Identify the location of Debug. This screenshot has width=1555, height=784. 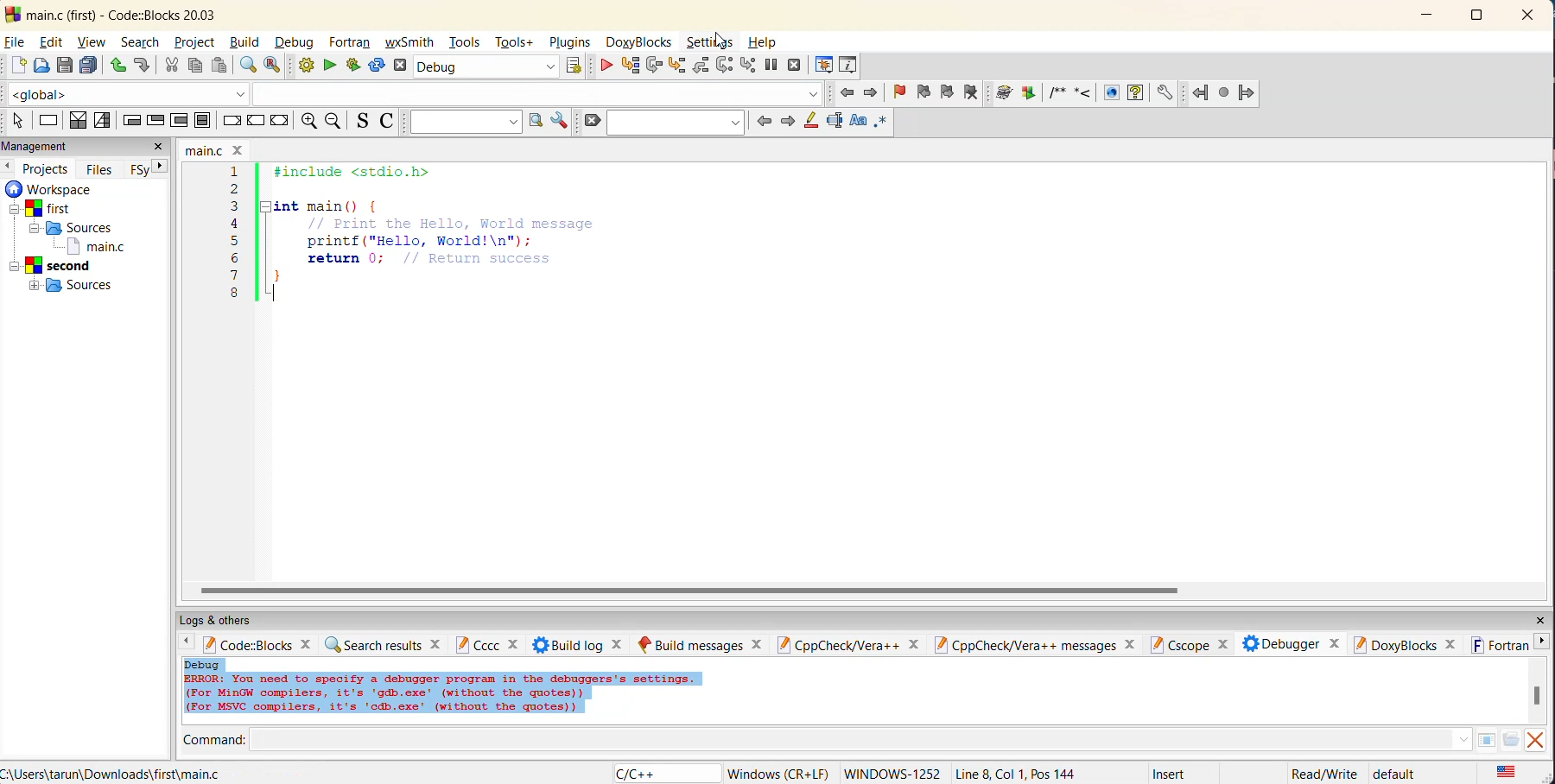
(474, 66).